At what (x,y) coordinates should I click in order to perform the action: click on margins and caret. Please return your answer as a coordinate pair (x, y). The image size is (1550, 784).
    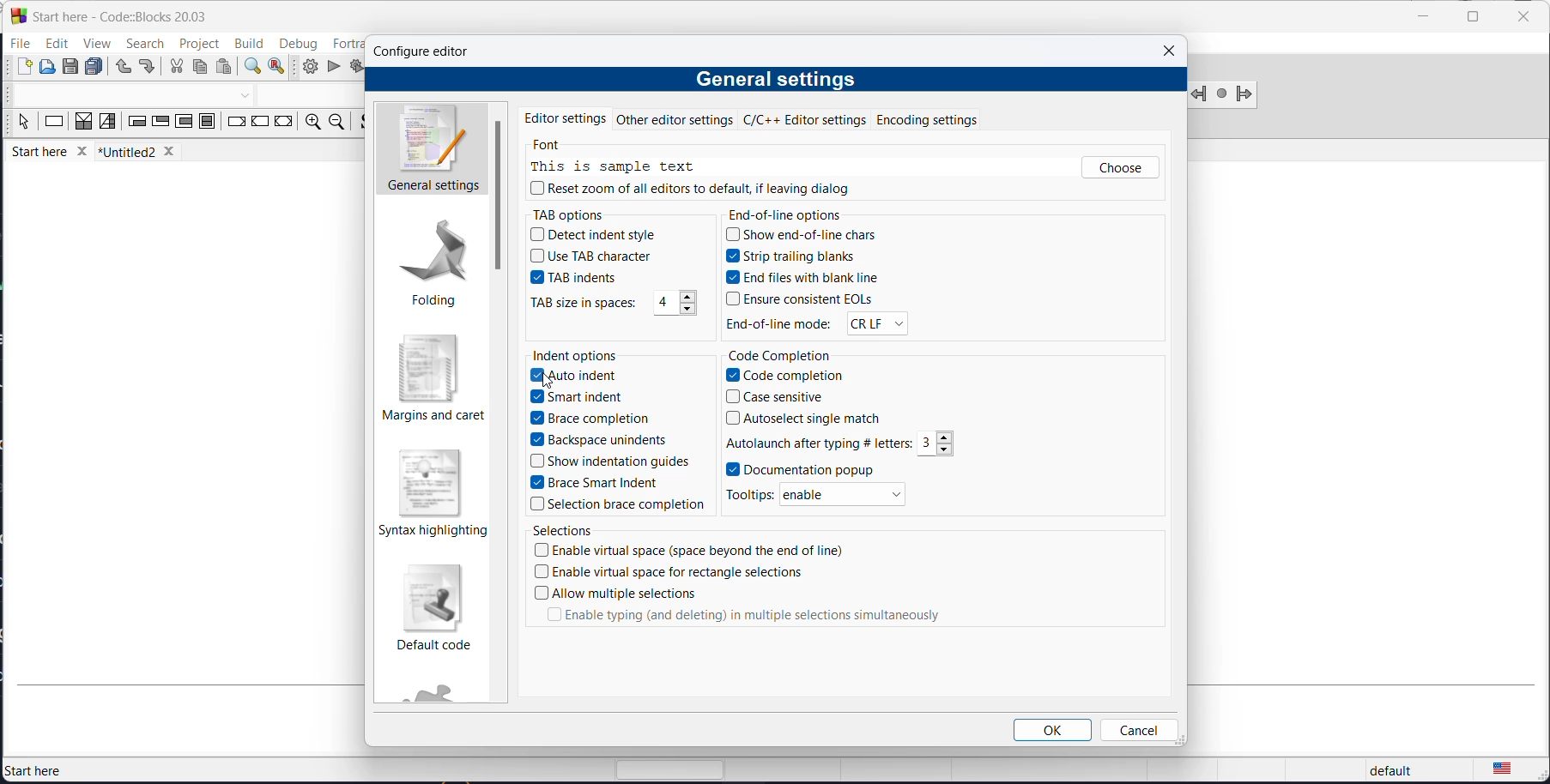
    Looking at the image, I should click on (433, 382).